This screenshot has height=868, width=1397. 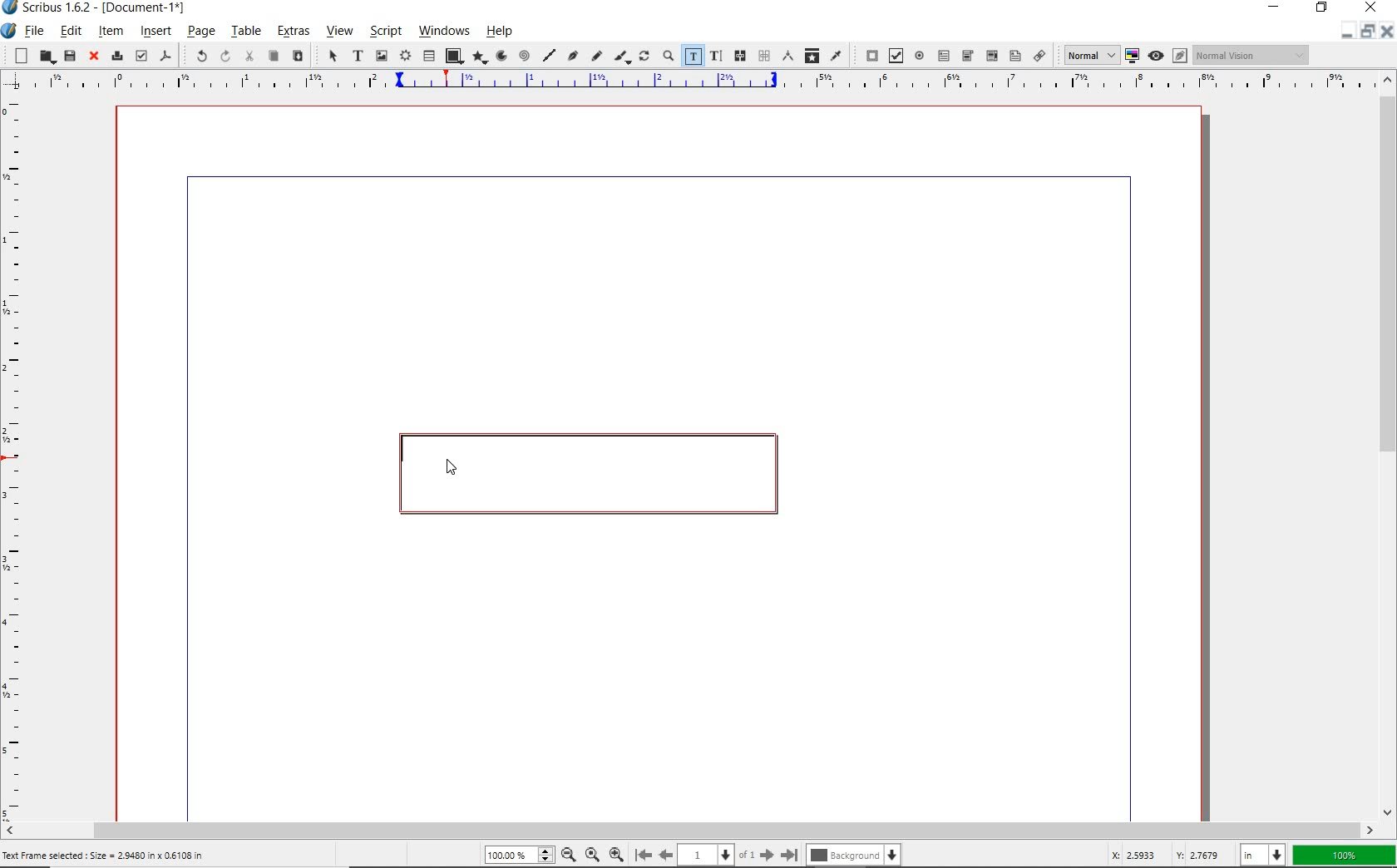 I want to click on Next page, so click(x=766, y=855).